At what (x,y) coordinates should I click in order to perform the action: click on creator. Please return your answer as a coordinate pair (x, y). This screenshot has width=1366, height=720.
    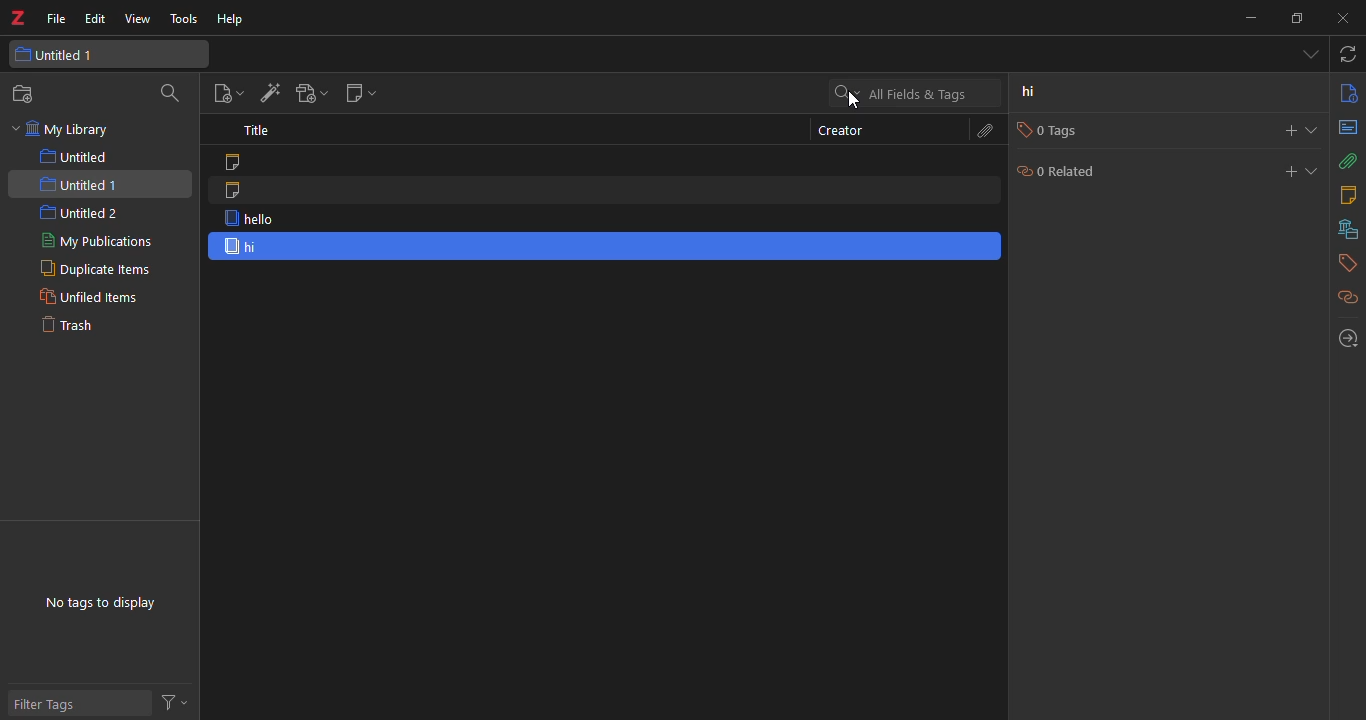
    Looking at the image, I should click on (840, 130).